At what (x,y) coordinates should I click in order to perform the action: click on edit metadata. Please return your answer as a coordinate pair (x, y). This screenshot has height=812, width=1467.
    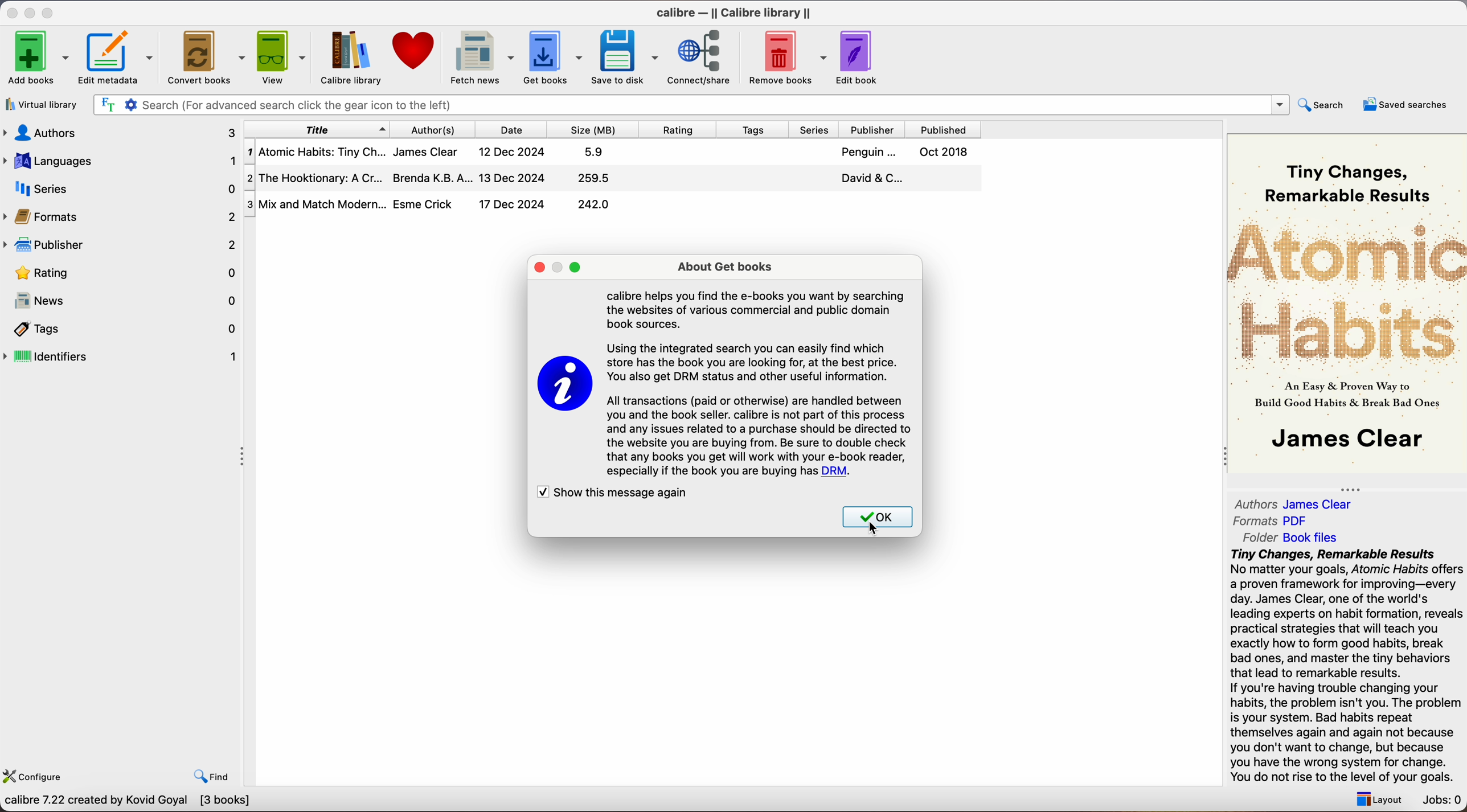
    Looking at the image, I should click on (119, 59).